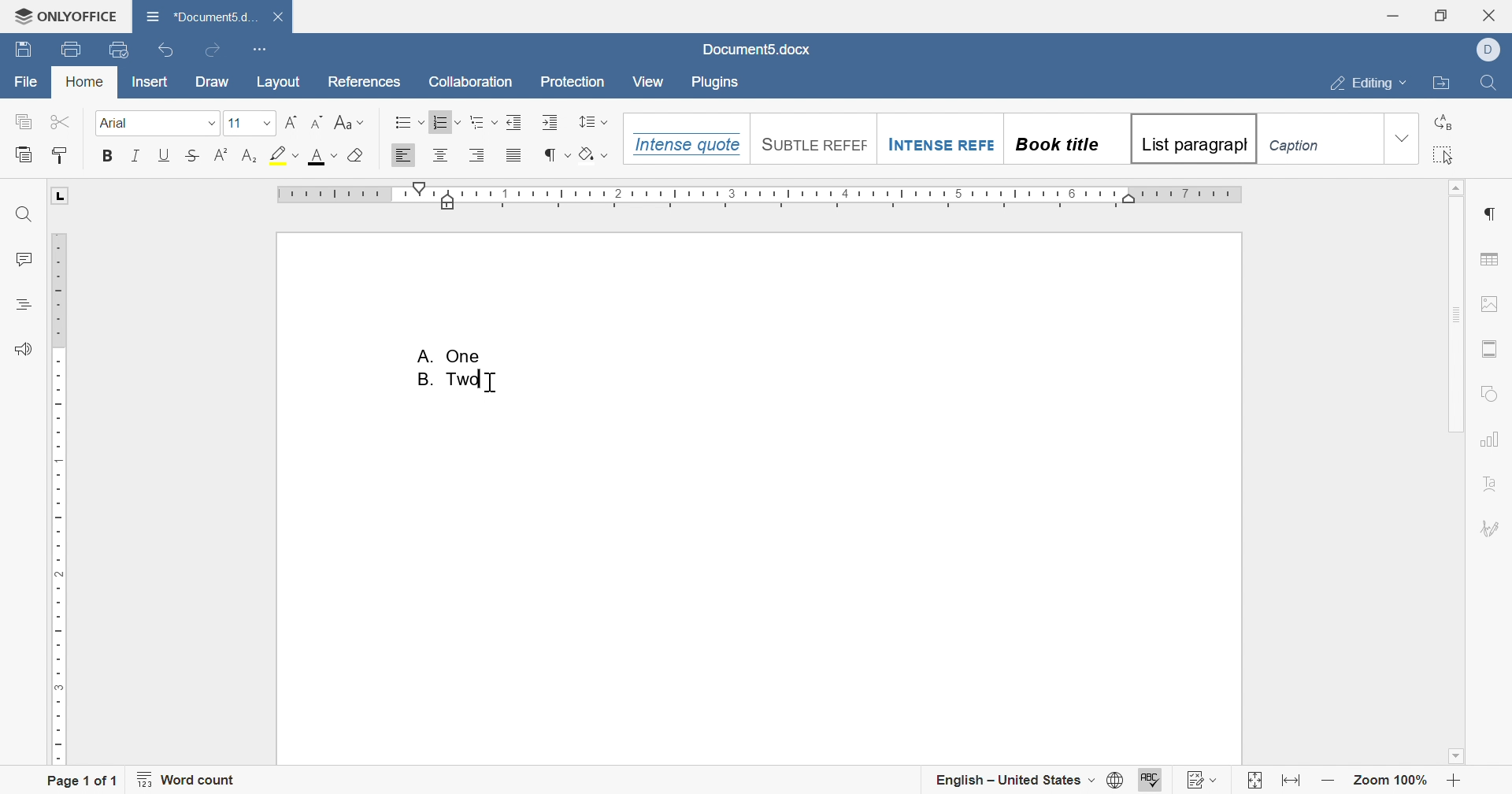 Image resolution: width=1512 pixels, height=794 pixels. Describe the element at coordinates (136, 155) in the screenshot. I see `Italic` at that location.